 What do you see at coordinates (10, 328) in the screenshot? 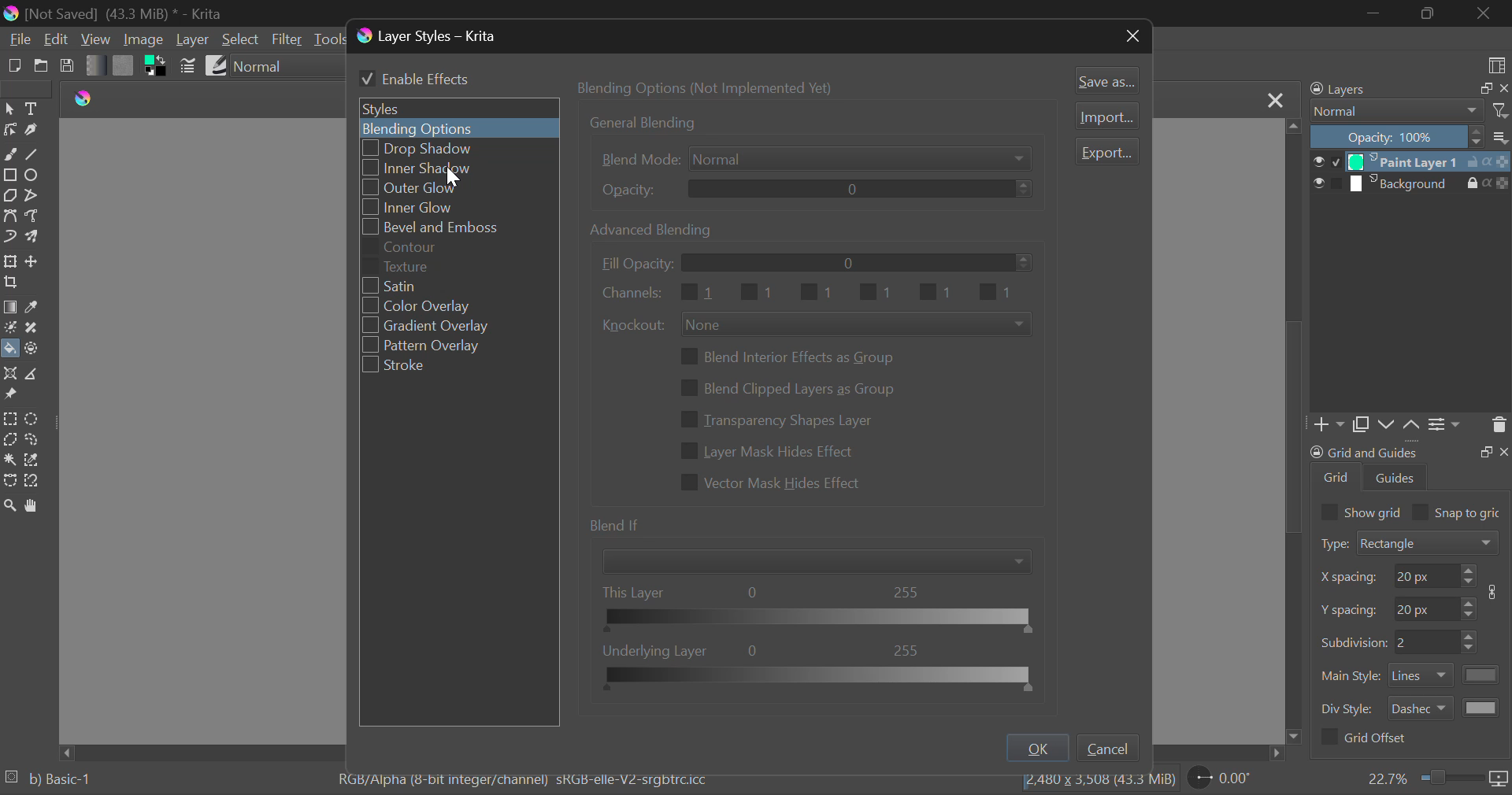
I see `Colorize Mask Tool` at bounding box center [10, 328].